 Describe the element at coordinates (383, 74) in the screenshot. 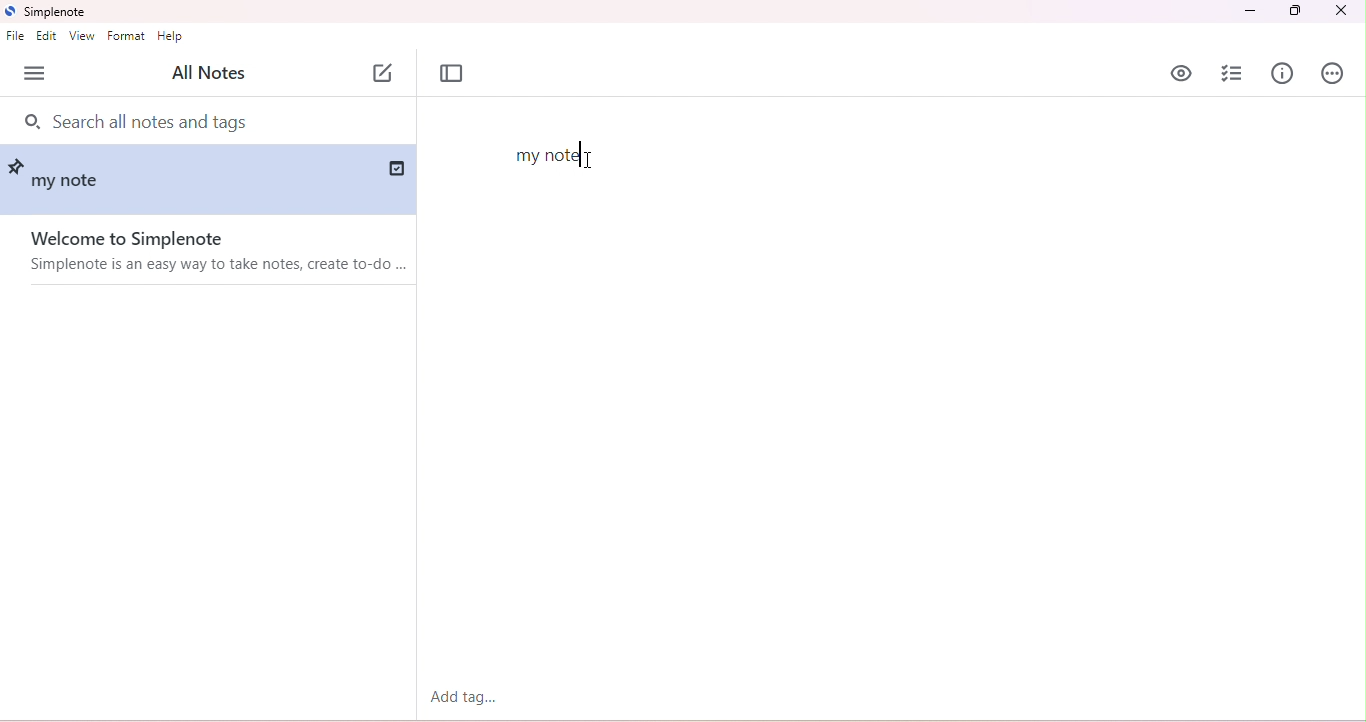

I see `add note` at that location.